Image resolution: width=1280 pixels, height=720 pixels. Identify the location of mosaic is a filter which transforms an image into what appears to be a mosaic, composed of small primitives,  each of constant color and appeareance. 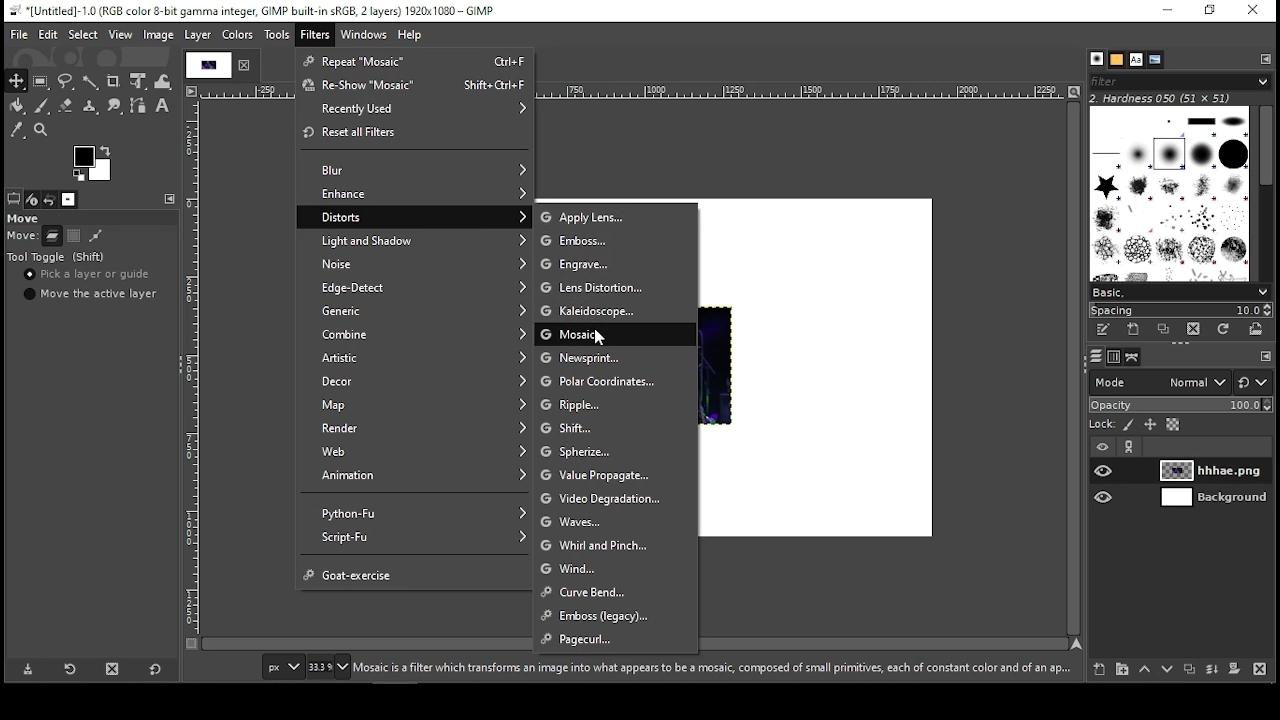
(714, 669).